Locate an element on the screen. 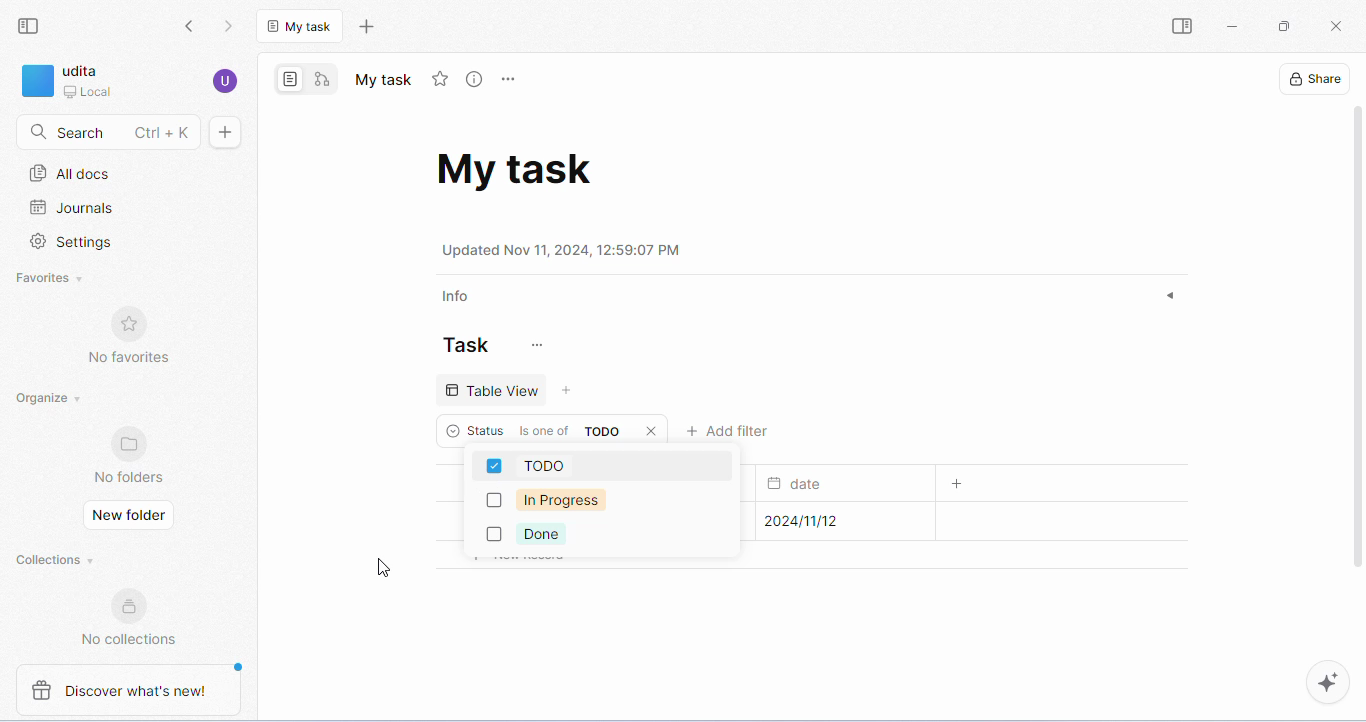  journals is located at coordinates (73, 209).